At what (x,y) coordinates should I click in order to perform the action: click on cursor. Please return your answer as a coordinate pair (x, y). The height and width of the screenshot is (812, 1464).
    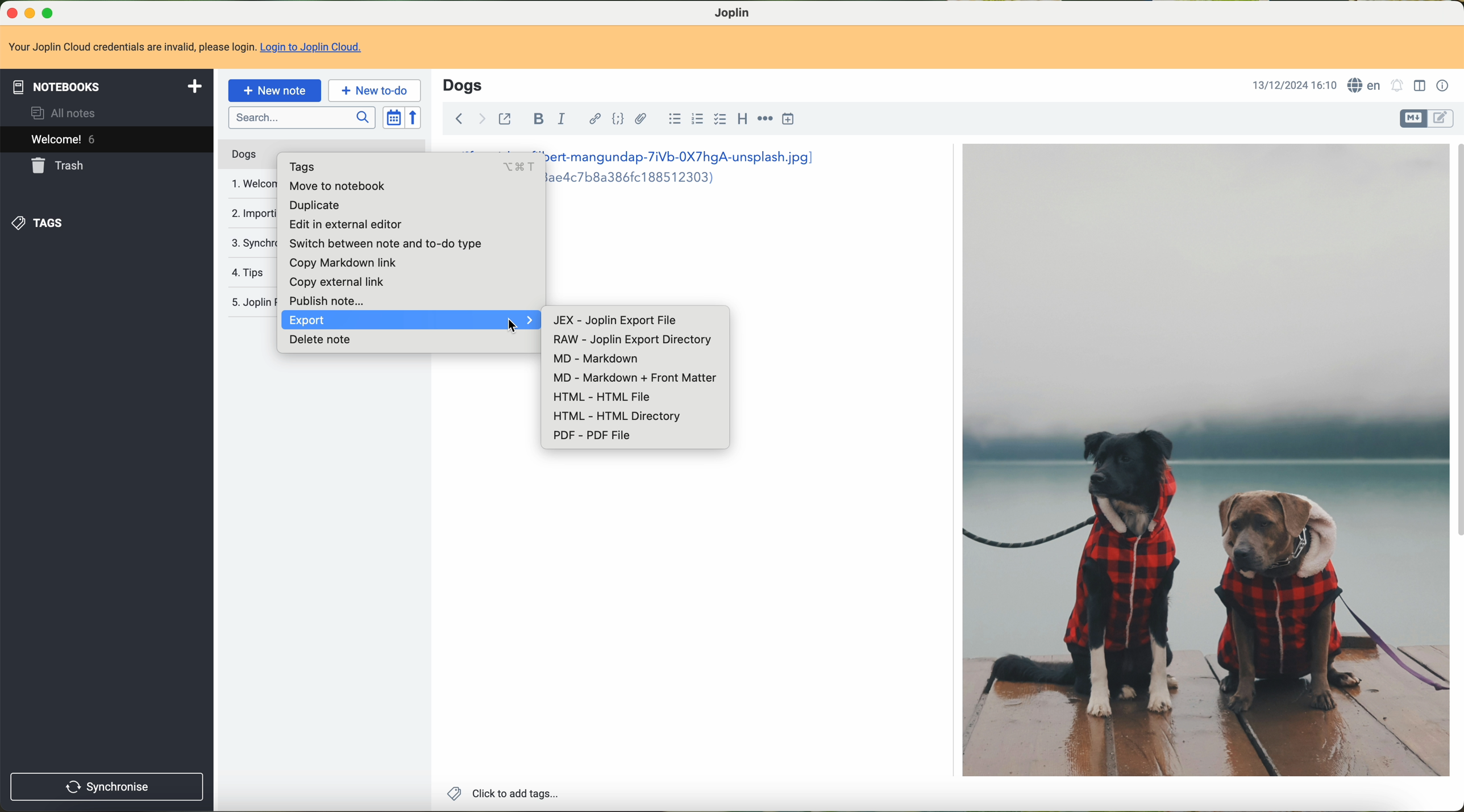
    Looking at the image, I should click on (514, 324).